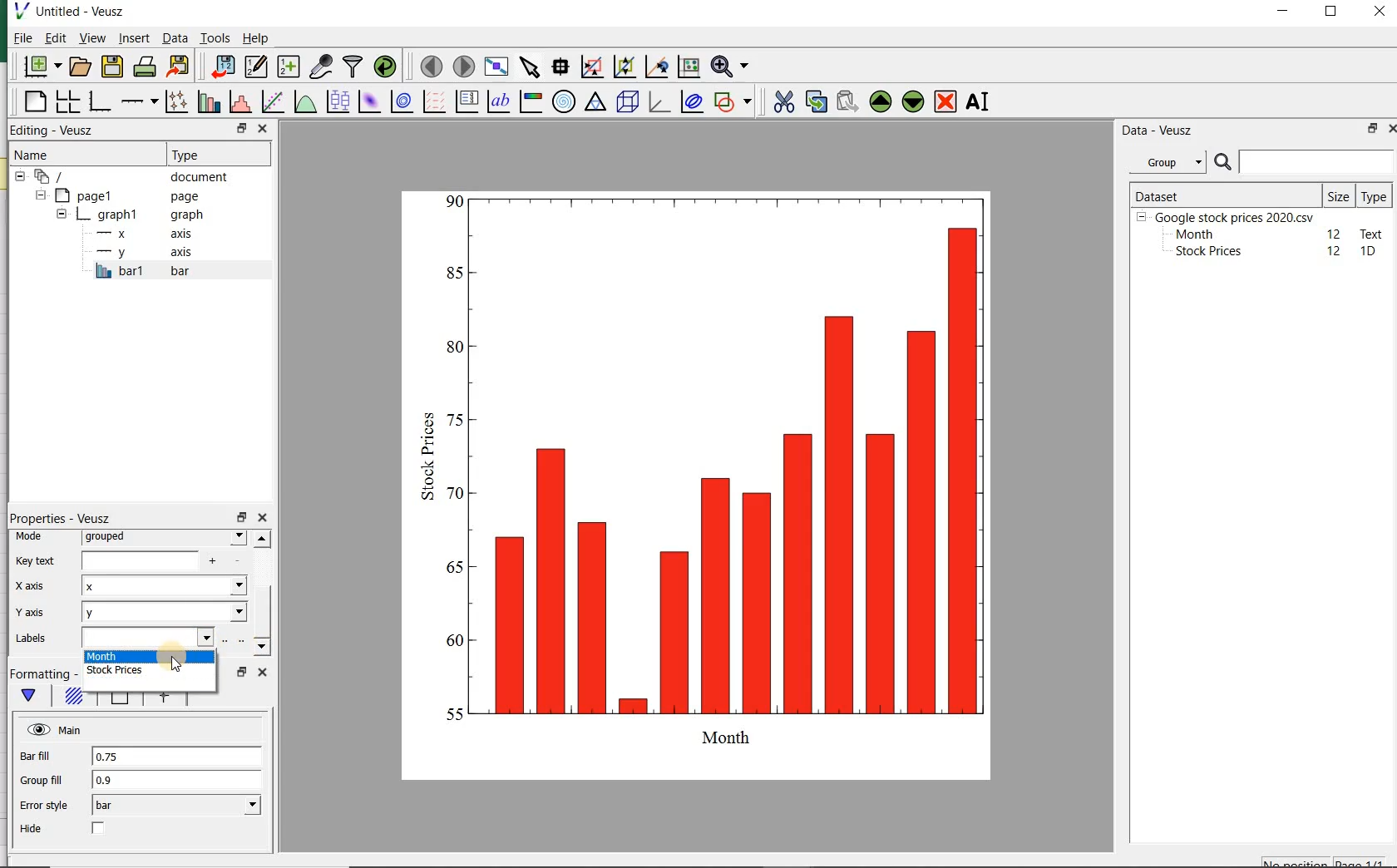 The width and height of the screenshot is (1397, 868). Describe the element at coordinates (173, 103) in the screenshot. I see `plot points with lines and errorbars` at that location.